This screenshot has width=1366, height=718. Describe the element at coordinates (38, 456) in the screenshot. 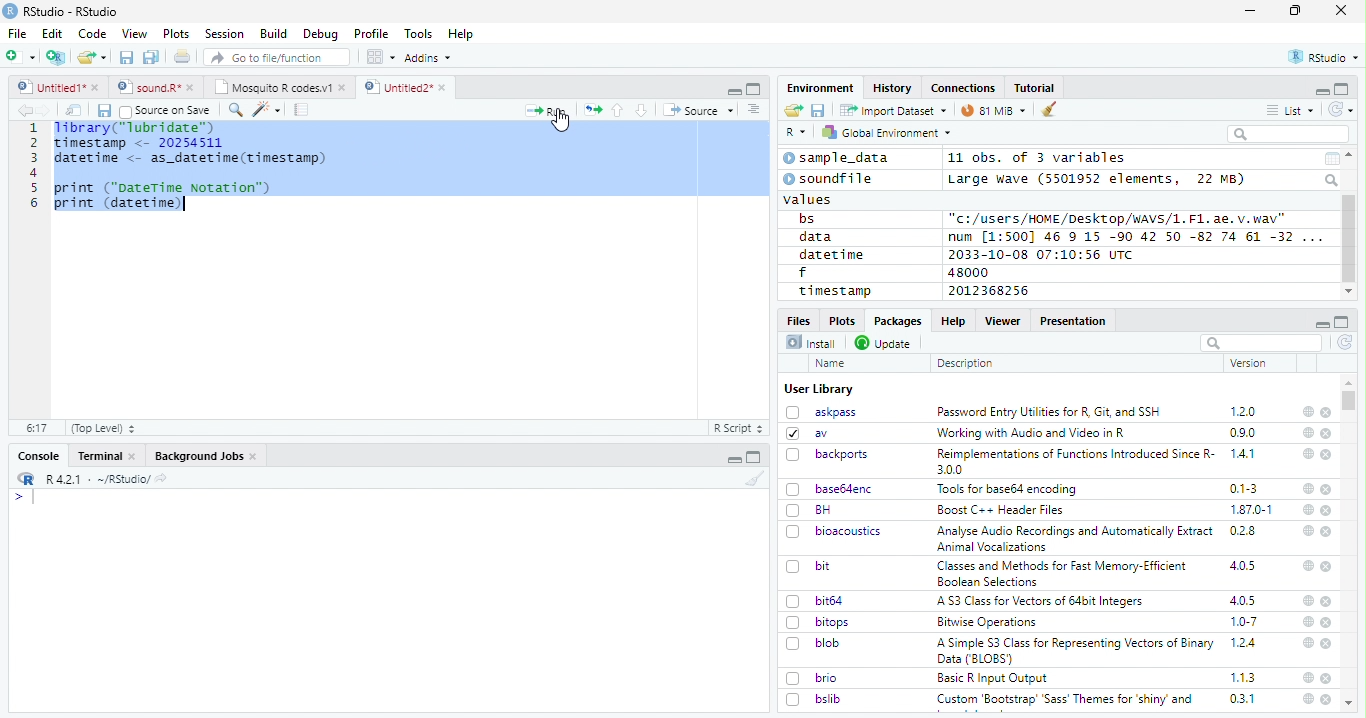

I see `Console` at that location.